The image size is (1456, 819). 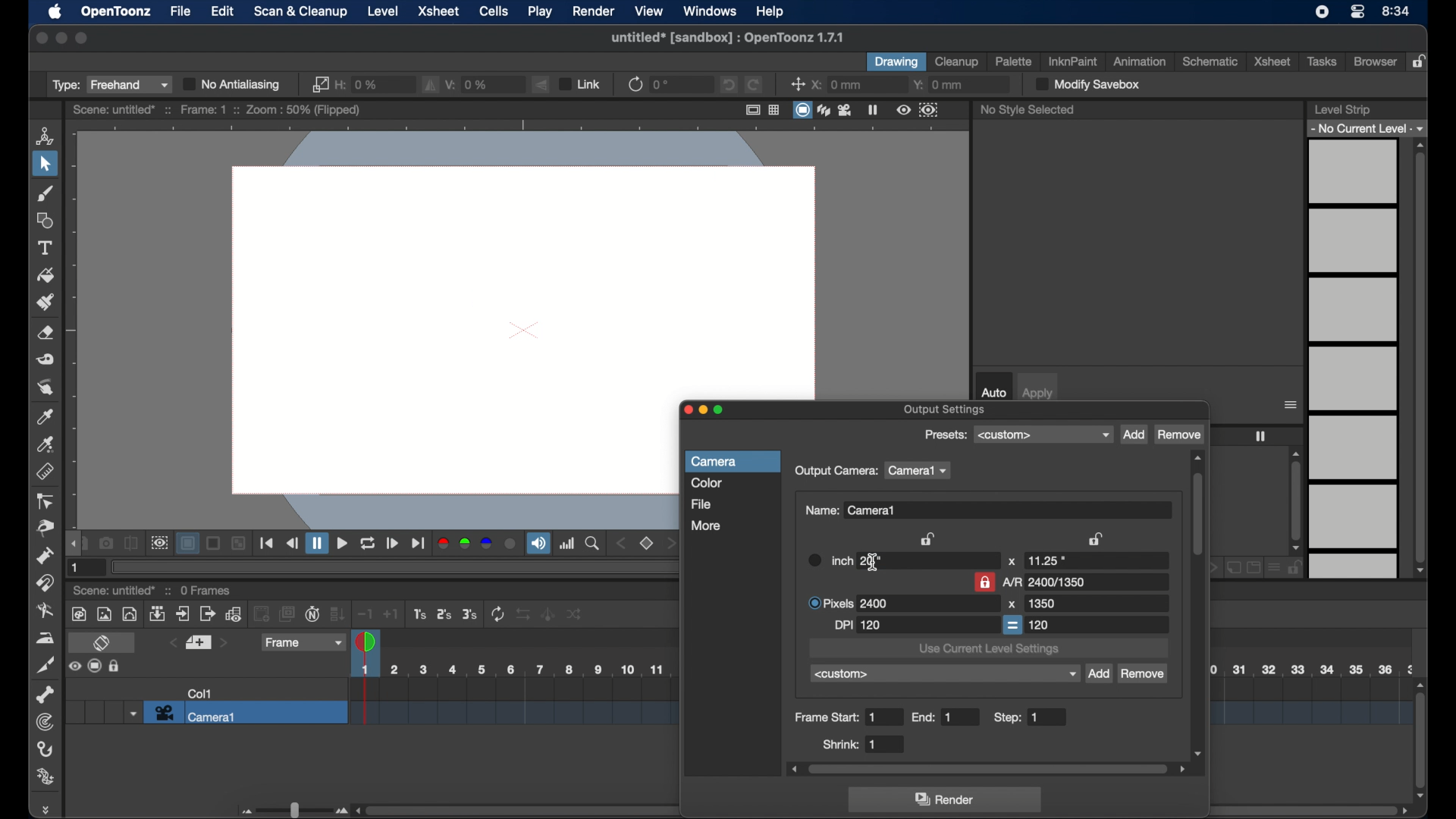 I want to click on shape tool, so click(x=45, y=220).